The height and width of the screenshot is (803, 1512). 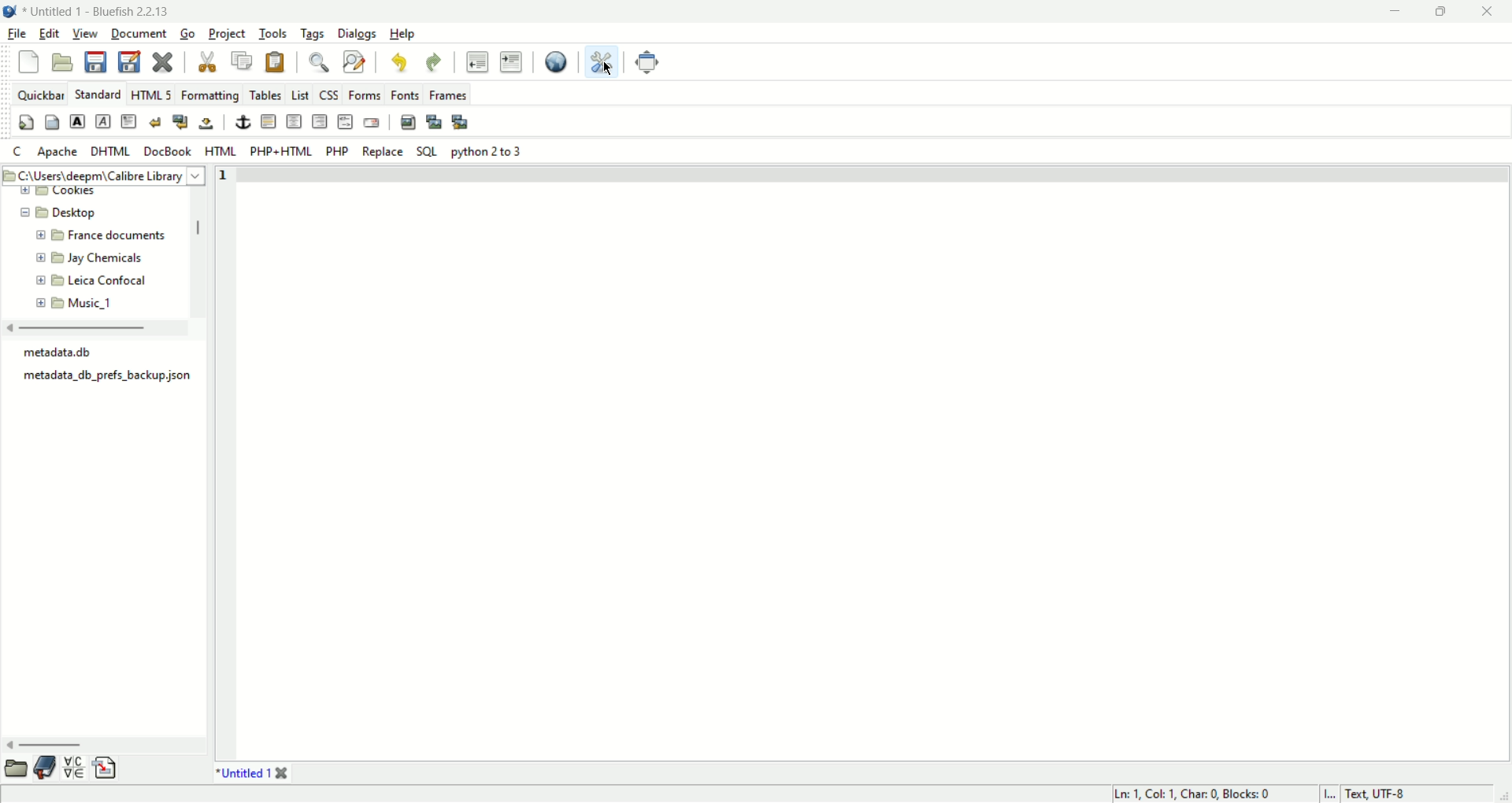 What do you see at coordinates (266, 124) in the screenshot?
I see `horizontal rule` at bounding box center [266, 124].